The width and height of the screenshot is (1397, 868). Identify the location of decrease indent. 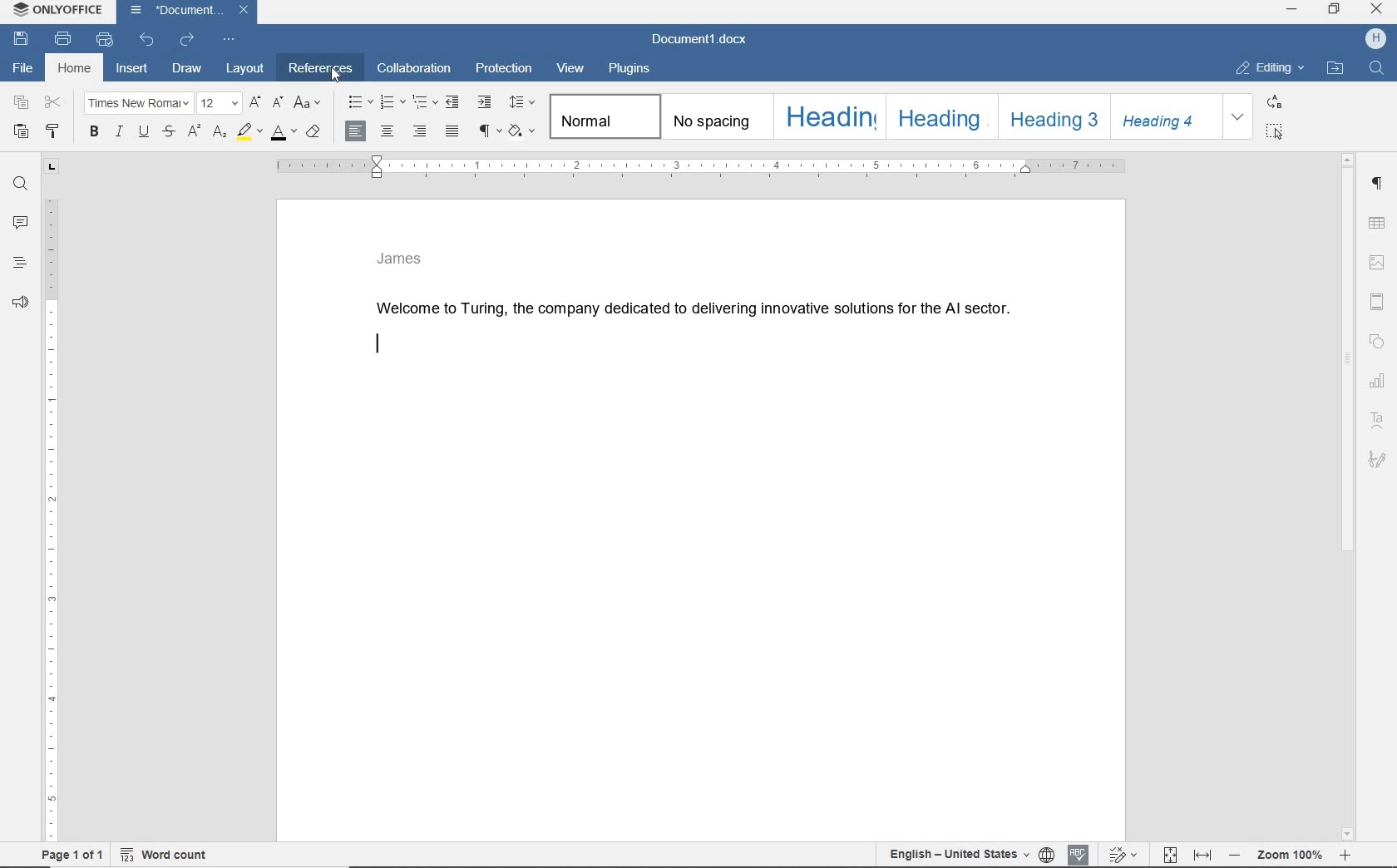
(455, 103).